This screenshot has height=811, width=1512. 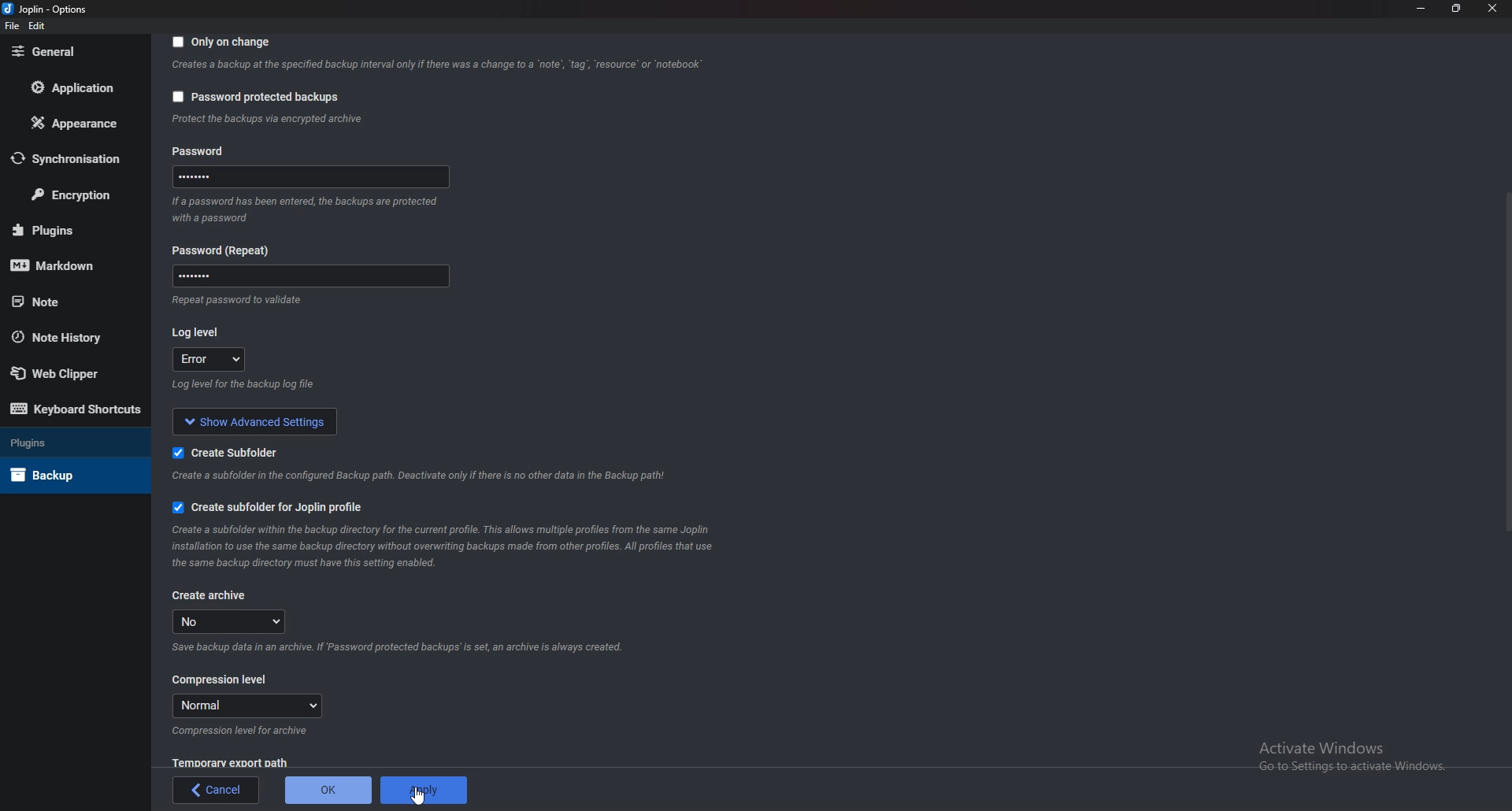 I want to click on Keyboard shortcuts, so click(x=76, y=408).